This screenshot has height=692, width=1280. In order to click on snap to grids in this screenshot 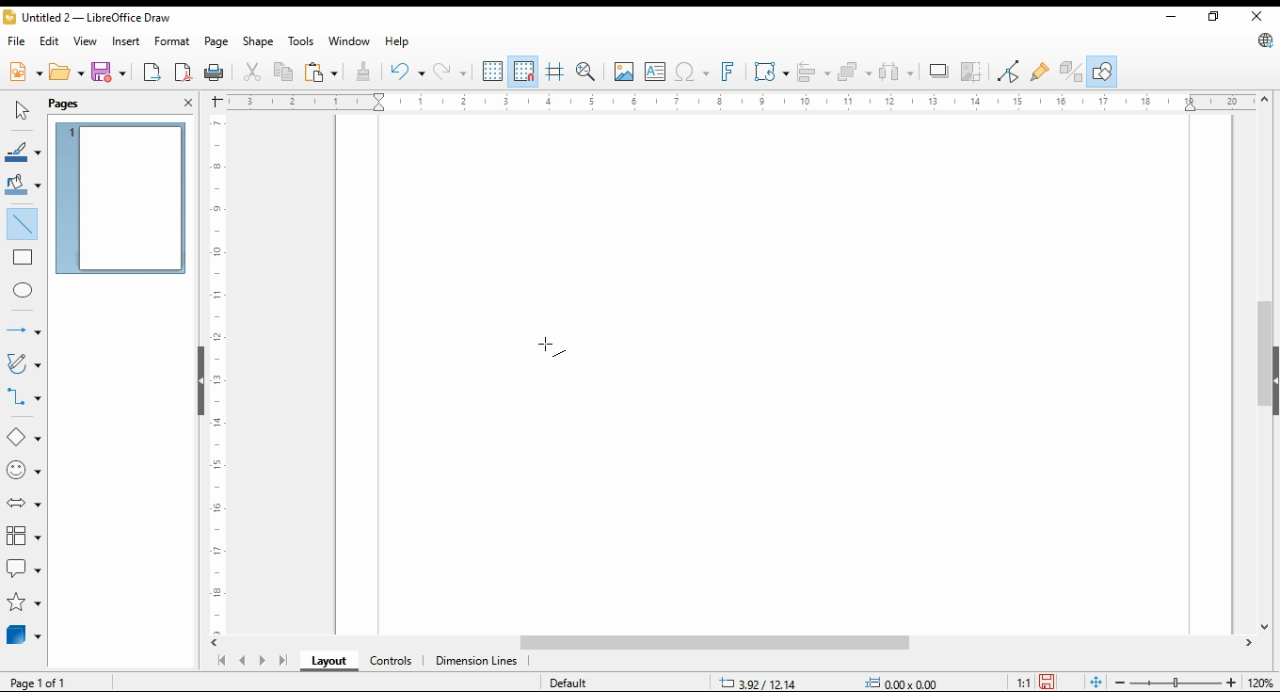, I will do `click(524, 72)`.